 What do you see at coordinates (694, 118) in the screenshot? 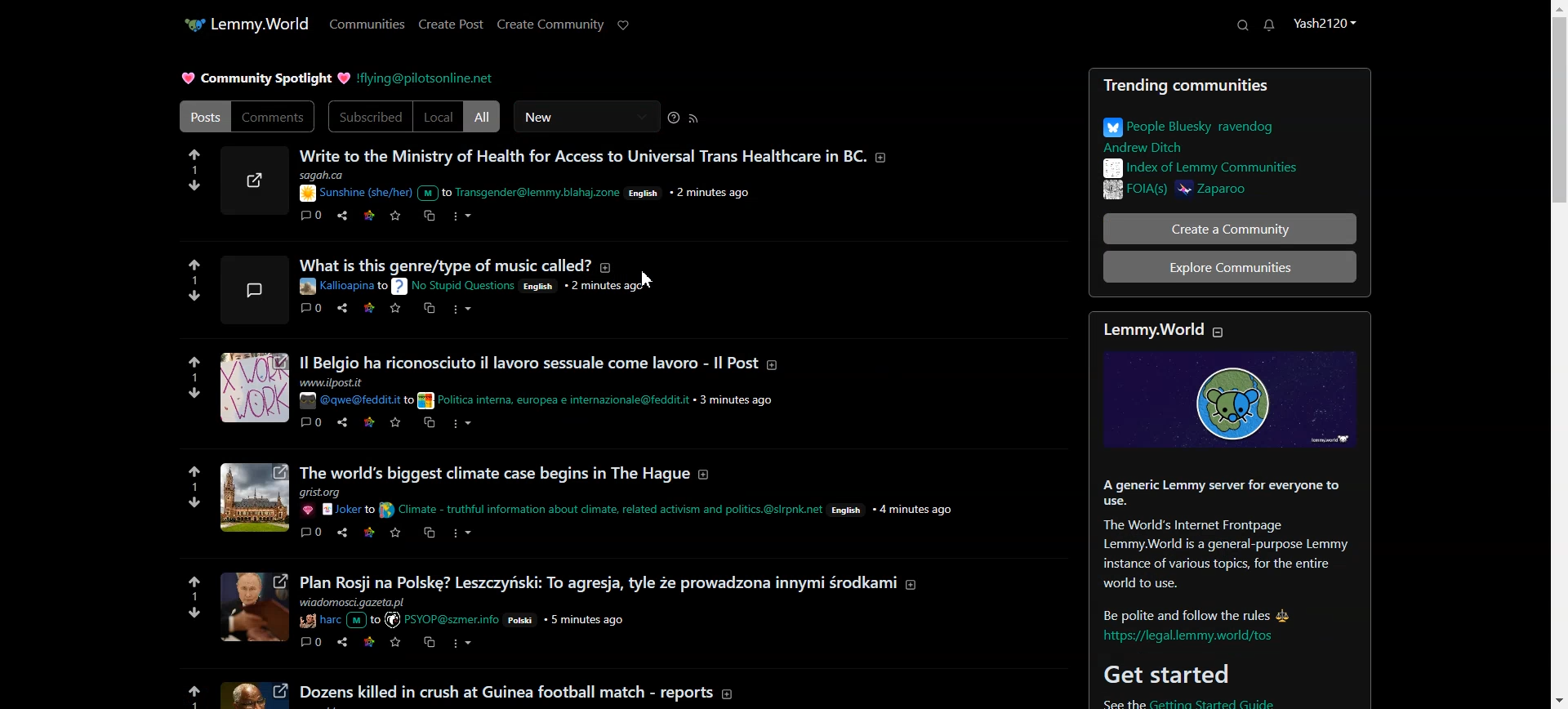
I see `RSS` at bounding box center [694, 118].